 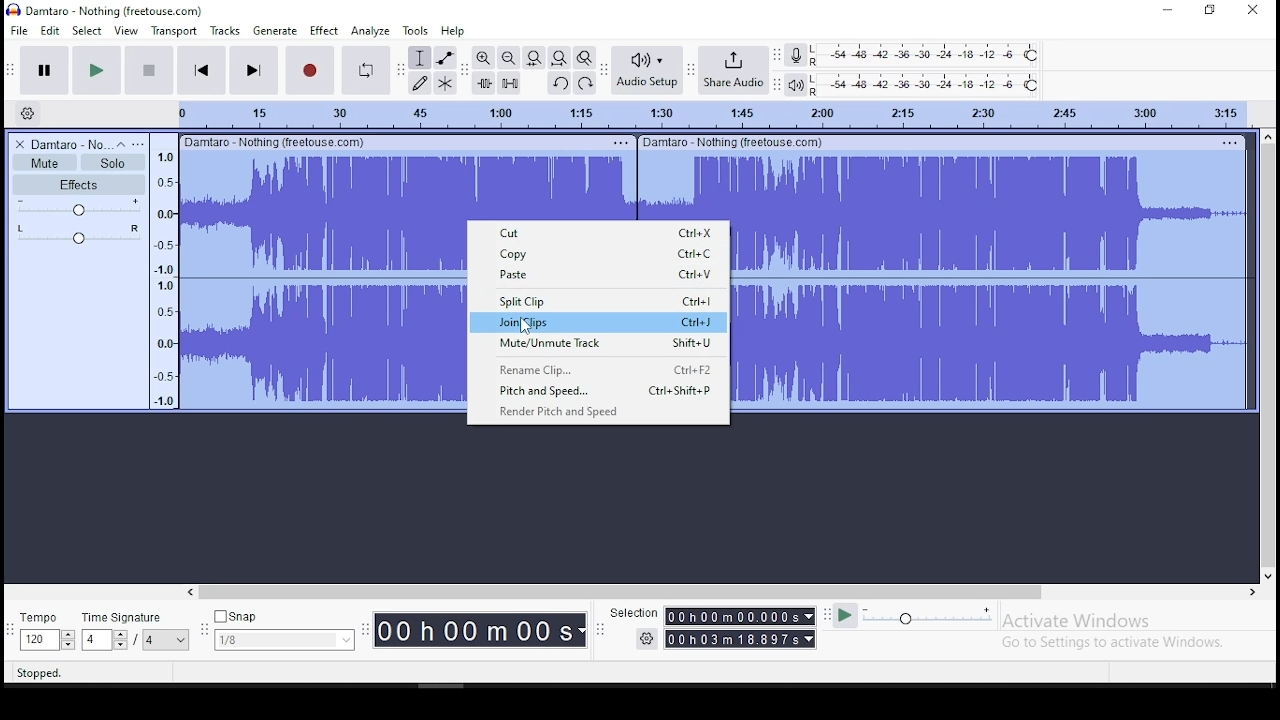 What do you see at coordinates (225, 31) in the screenshot?
I see `tracks` at bounding box center [225, 31].